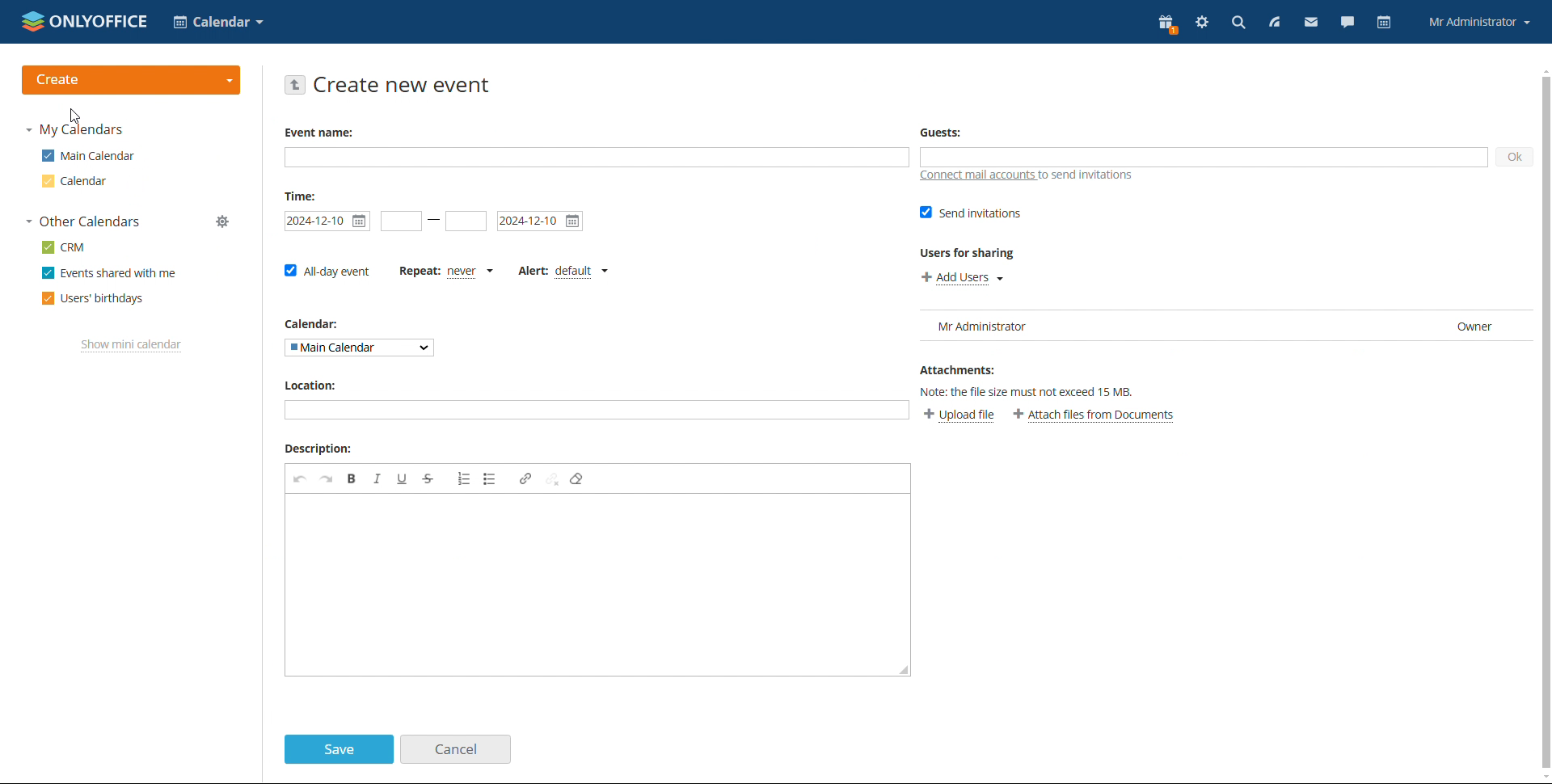 Image resolution: width=1552 pixels, height=784 pixels. Describe the element at coordinates (319, 448) in the screenshot. I see `Description:` at that location.